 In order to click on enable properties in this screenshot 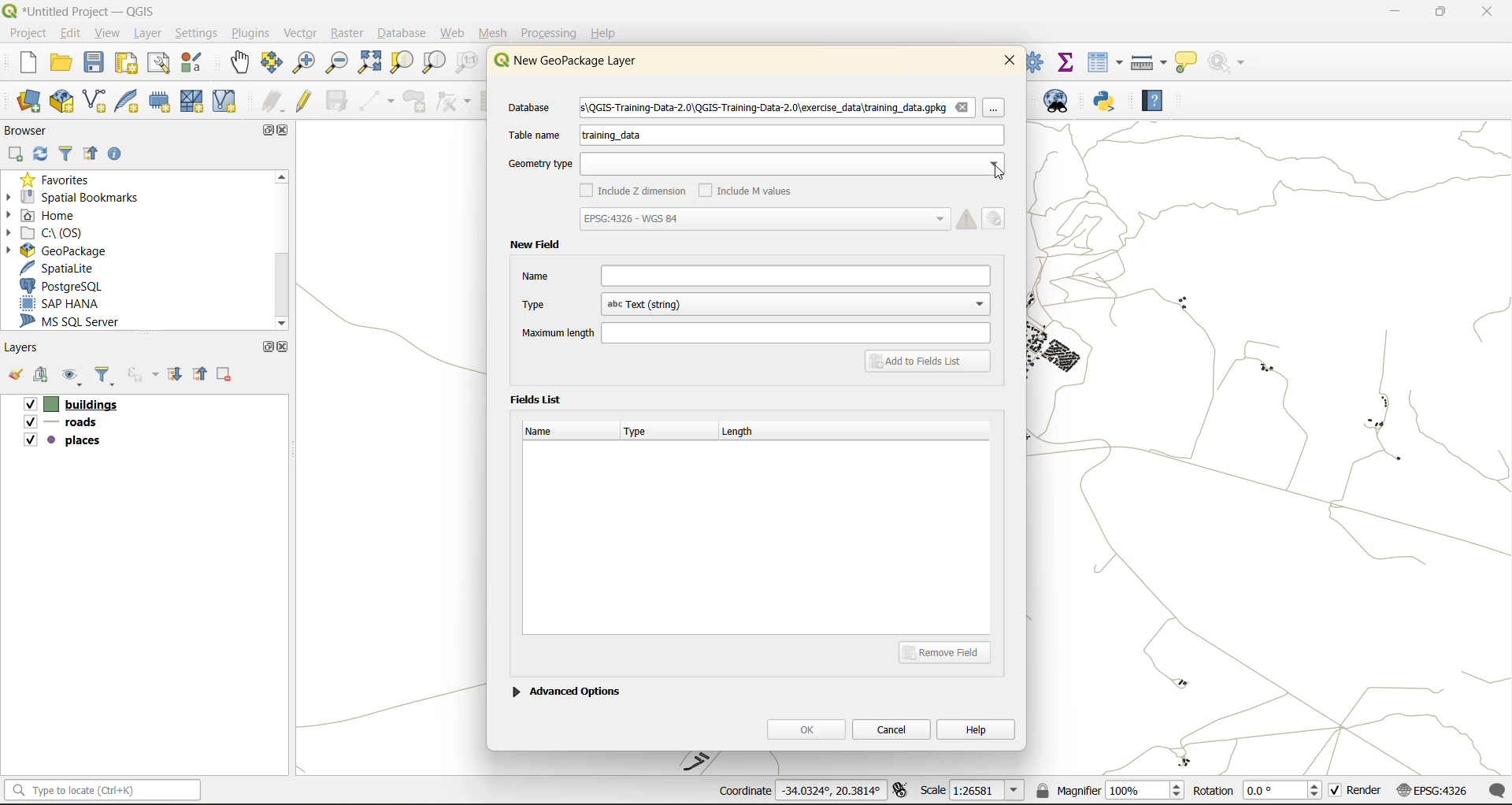, I will do `click(119, 153)`.